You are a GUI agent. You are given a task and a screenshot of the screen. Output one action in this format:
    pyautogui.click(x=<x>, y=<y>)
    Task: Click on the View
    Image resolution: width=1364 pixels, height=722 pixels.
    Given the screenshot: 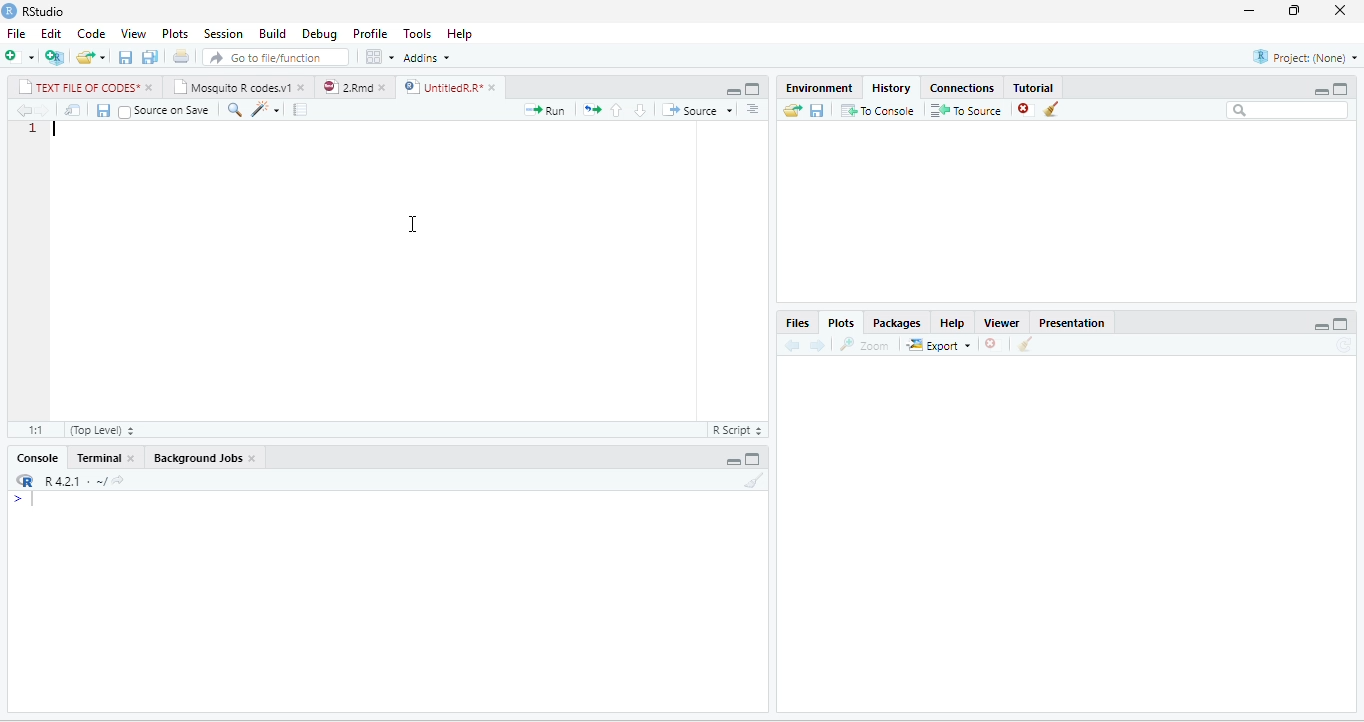 What is the action you would take?
    pyautogui.click(x=133, y=34)
    